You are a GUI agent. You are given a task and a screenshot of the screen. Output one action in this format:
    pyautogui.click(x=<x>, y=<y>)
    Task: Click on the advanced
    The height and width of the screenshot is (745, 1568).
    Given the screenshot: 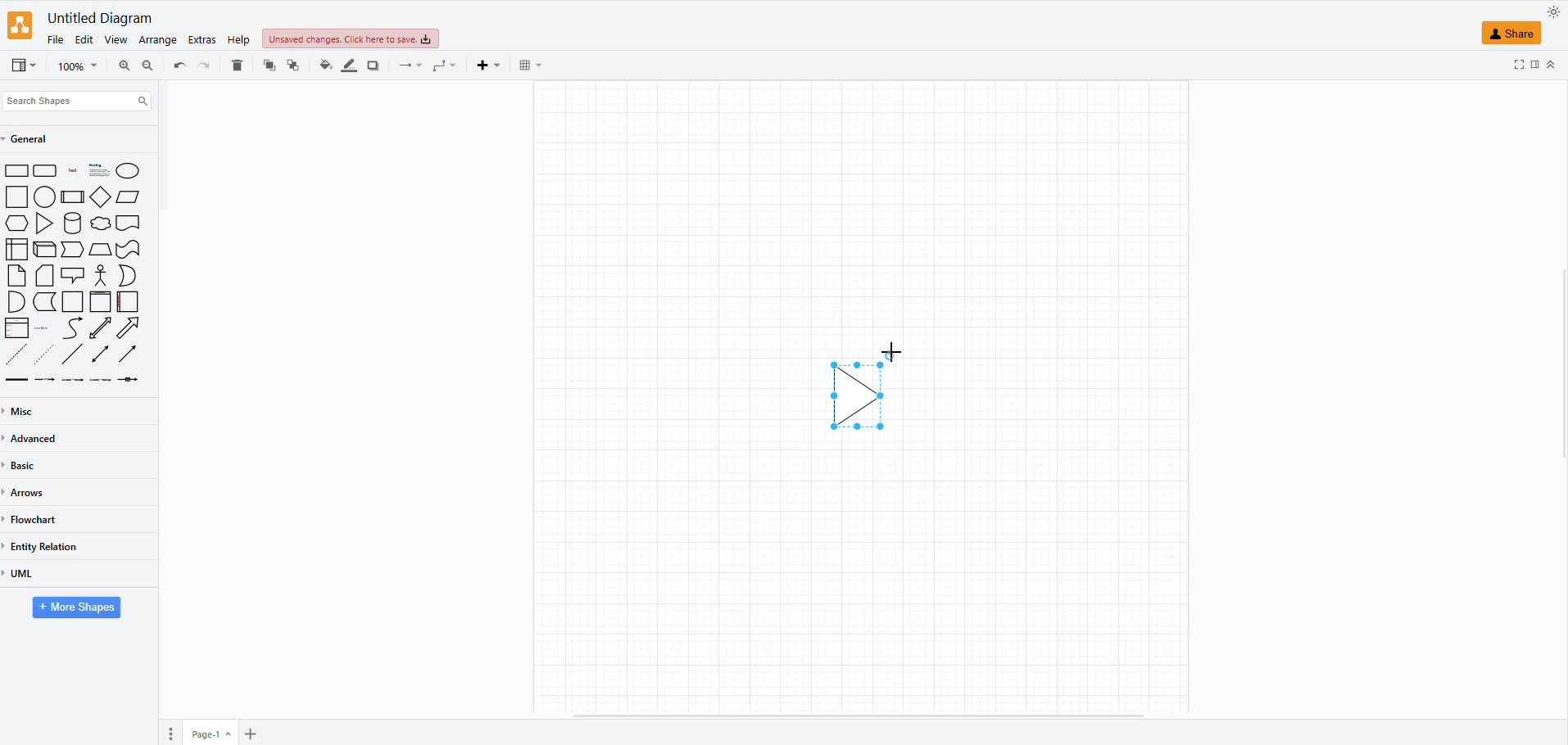 What is the action you would take?
    pyautogui.click(x=38, y=439)
    